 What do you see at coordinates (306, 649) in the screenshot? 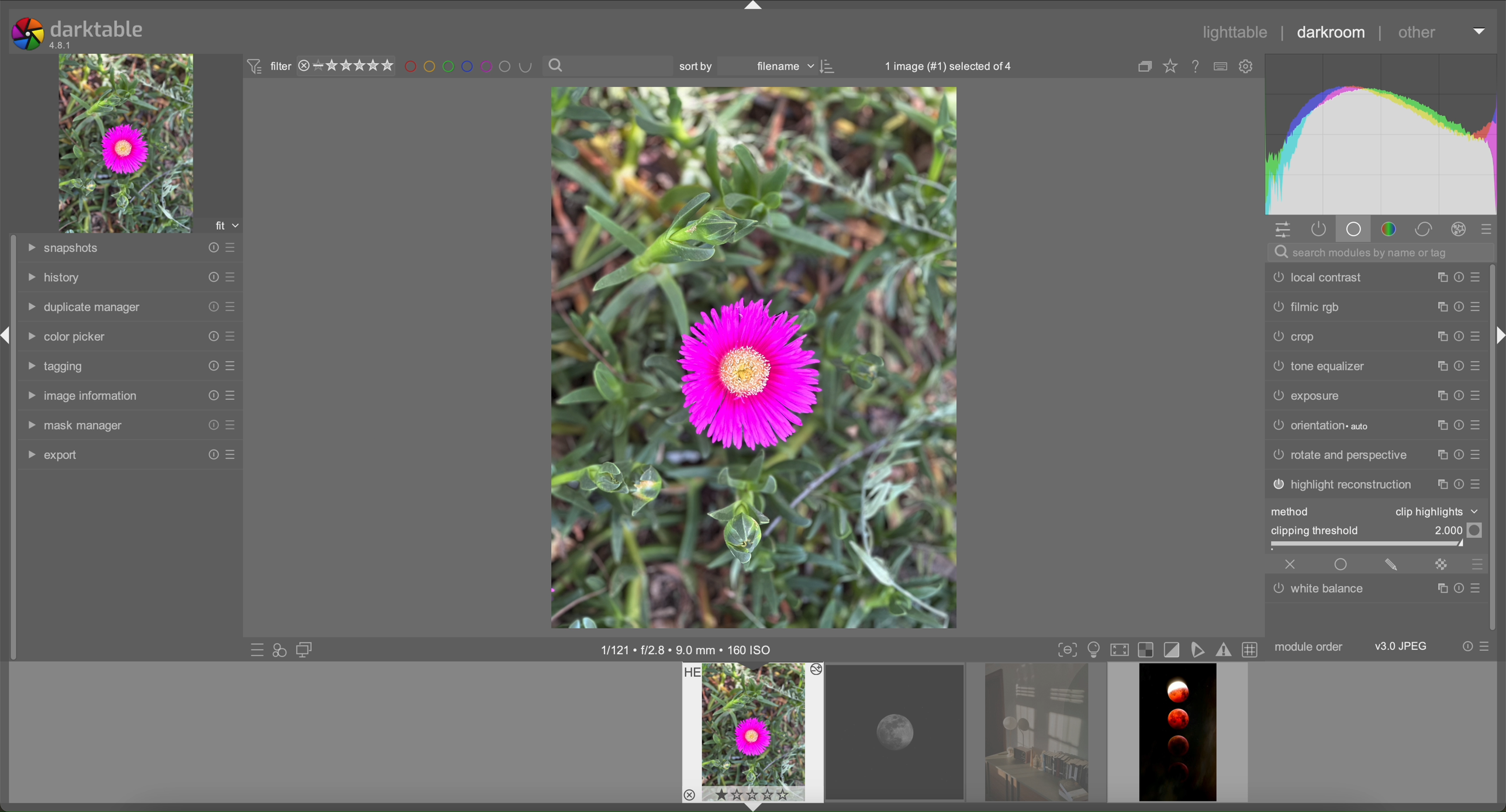
I see `display a second darkroom image window` at bounding box center [306, 649].